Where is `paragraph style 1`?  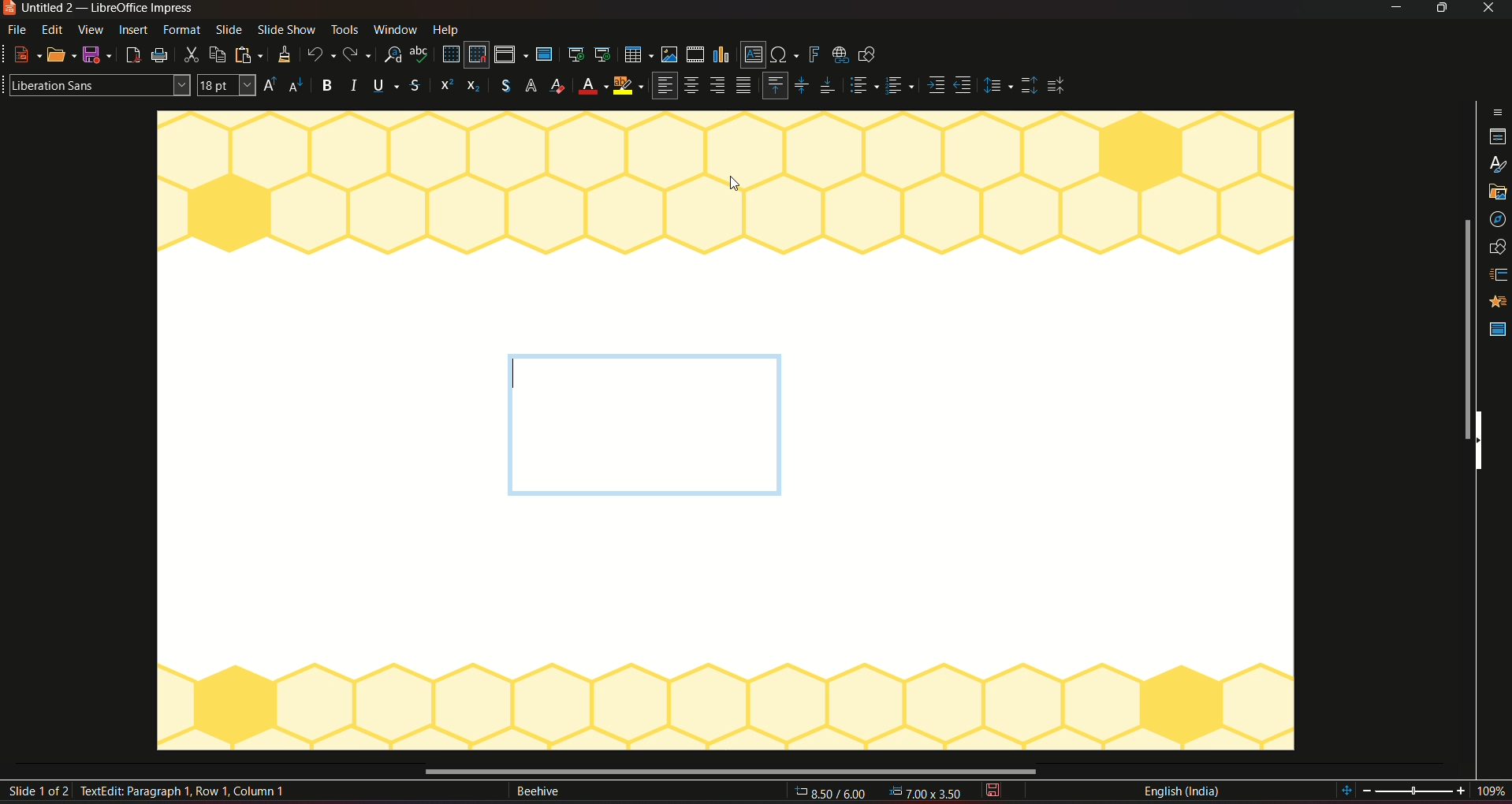 paragraph style 1 is located at coordinates (862, 87).